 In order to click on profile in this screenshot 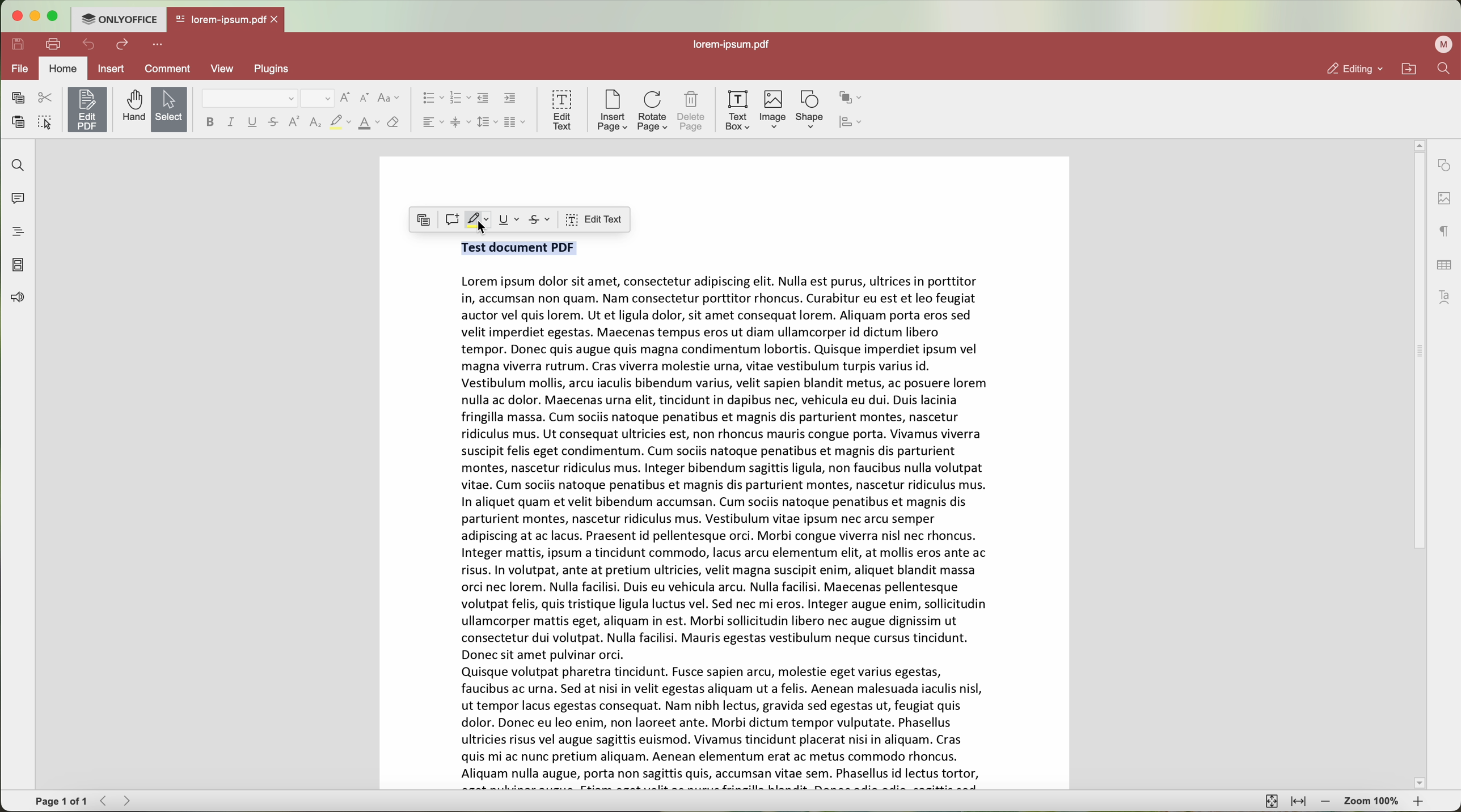, I will do `click(1443, 44)`.